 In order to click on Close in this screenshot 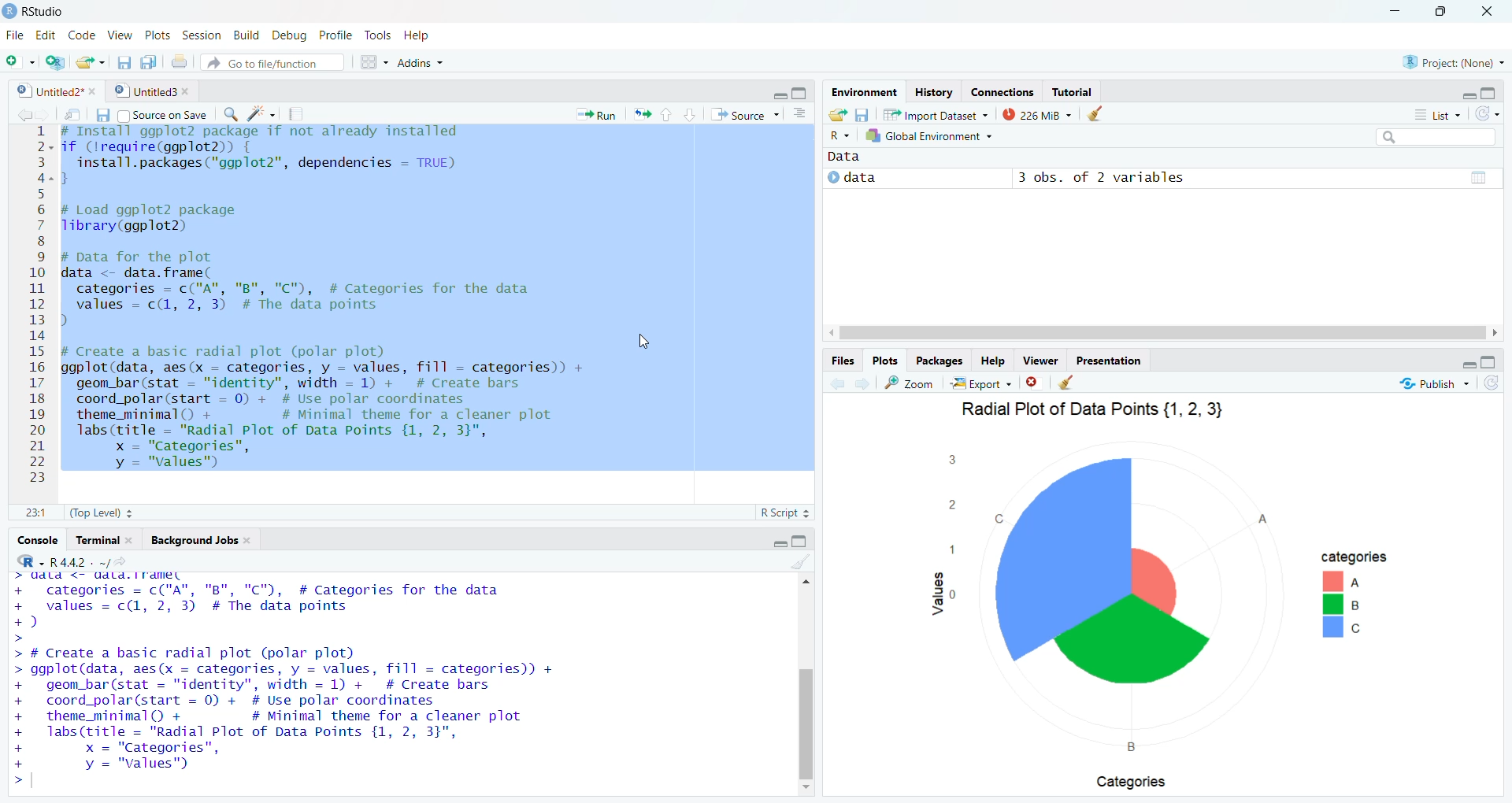, I will do `click(1485, 11)`.